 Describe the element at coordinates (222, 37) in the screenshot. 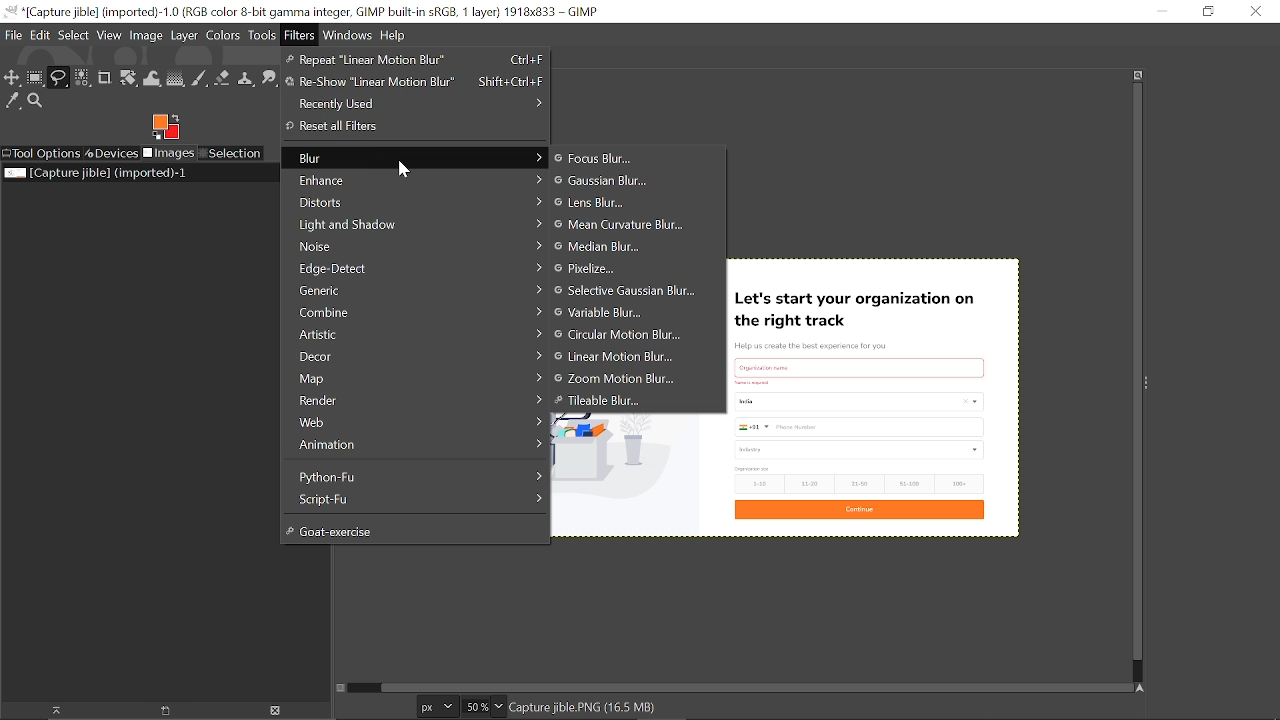

I see `Colors` at that location.